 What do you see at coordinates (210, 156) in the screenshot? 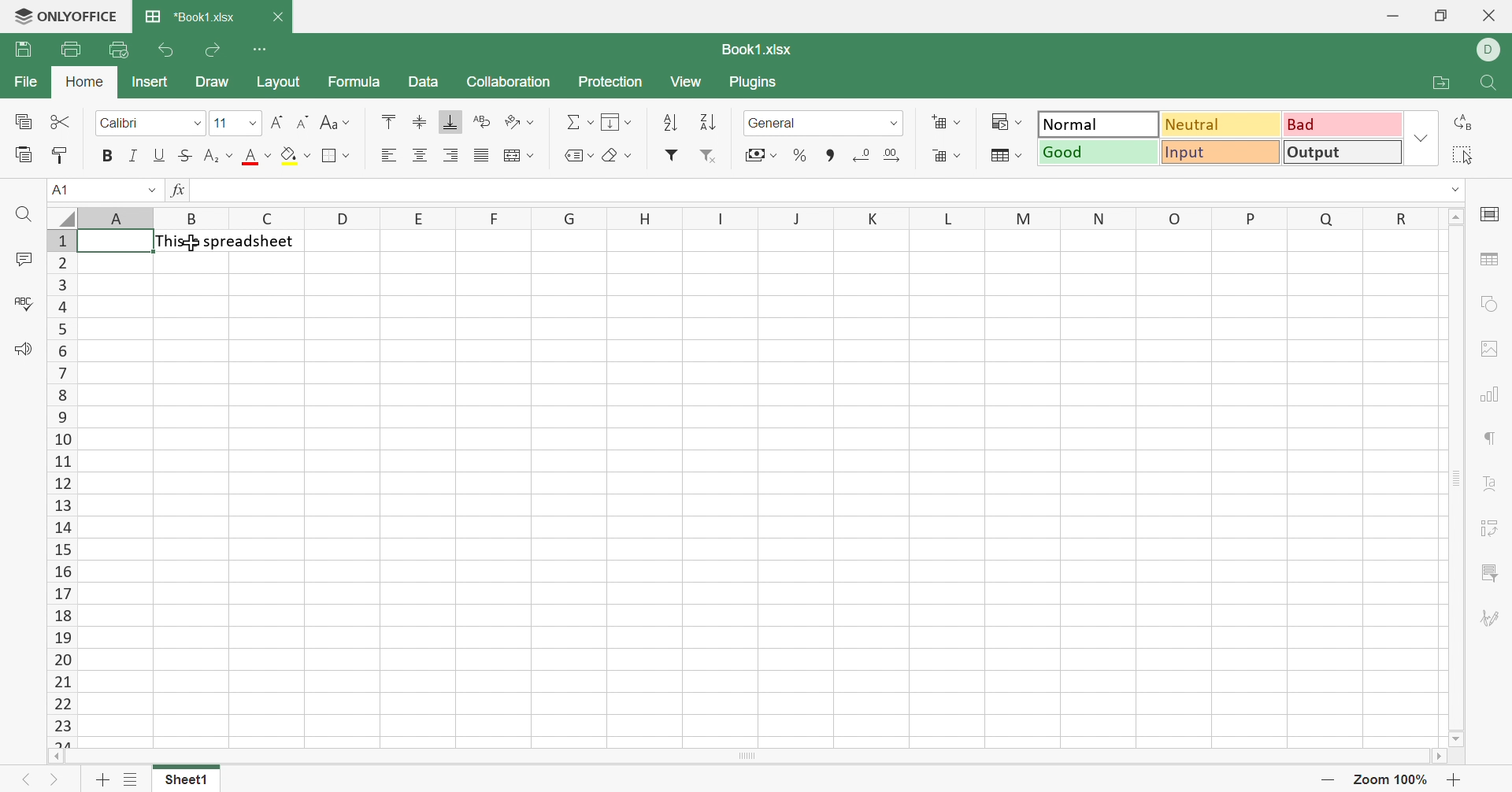
I see `Superscript/Subscript` at bounding box center [210, 156].